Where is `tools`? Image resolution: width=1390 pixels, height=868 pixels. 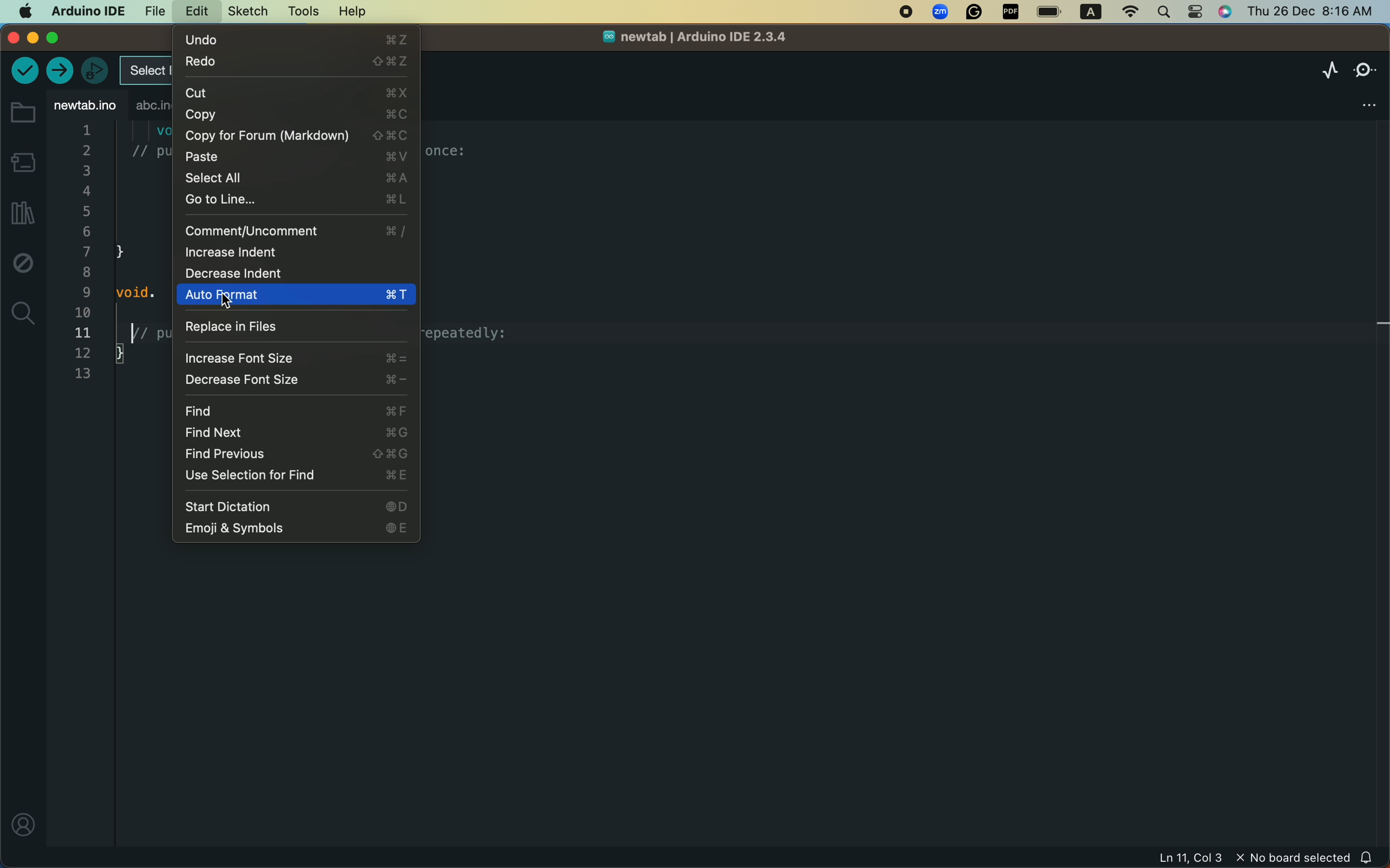 tools is located at coordinates (303, 11).